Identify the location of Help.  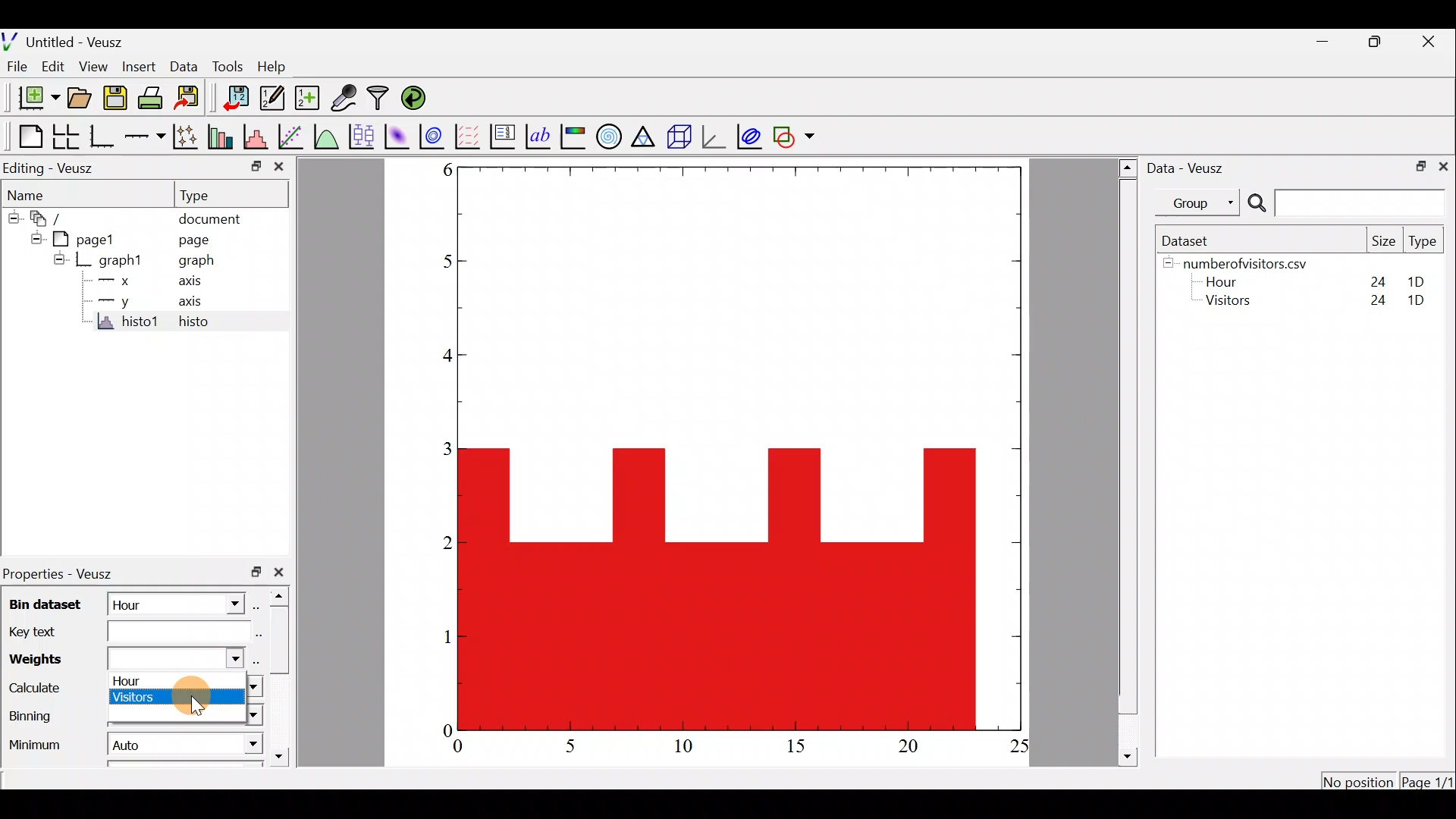
(274, 67).